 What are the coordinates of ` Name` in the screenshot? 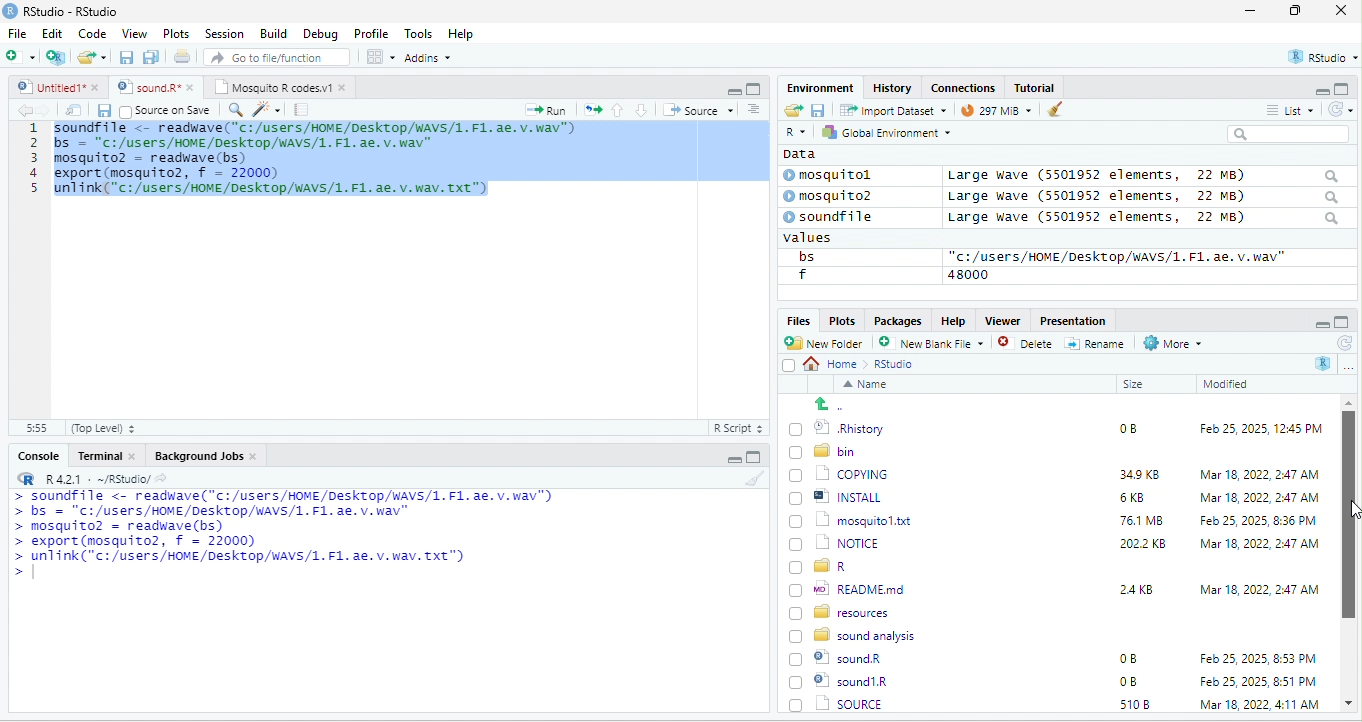 It's located at (869, 386).